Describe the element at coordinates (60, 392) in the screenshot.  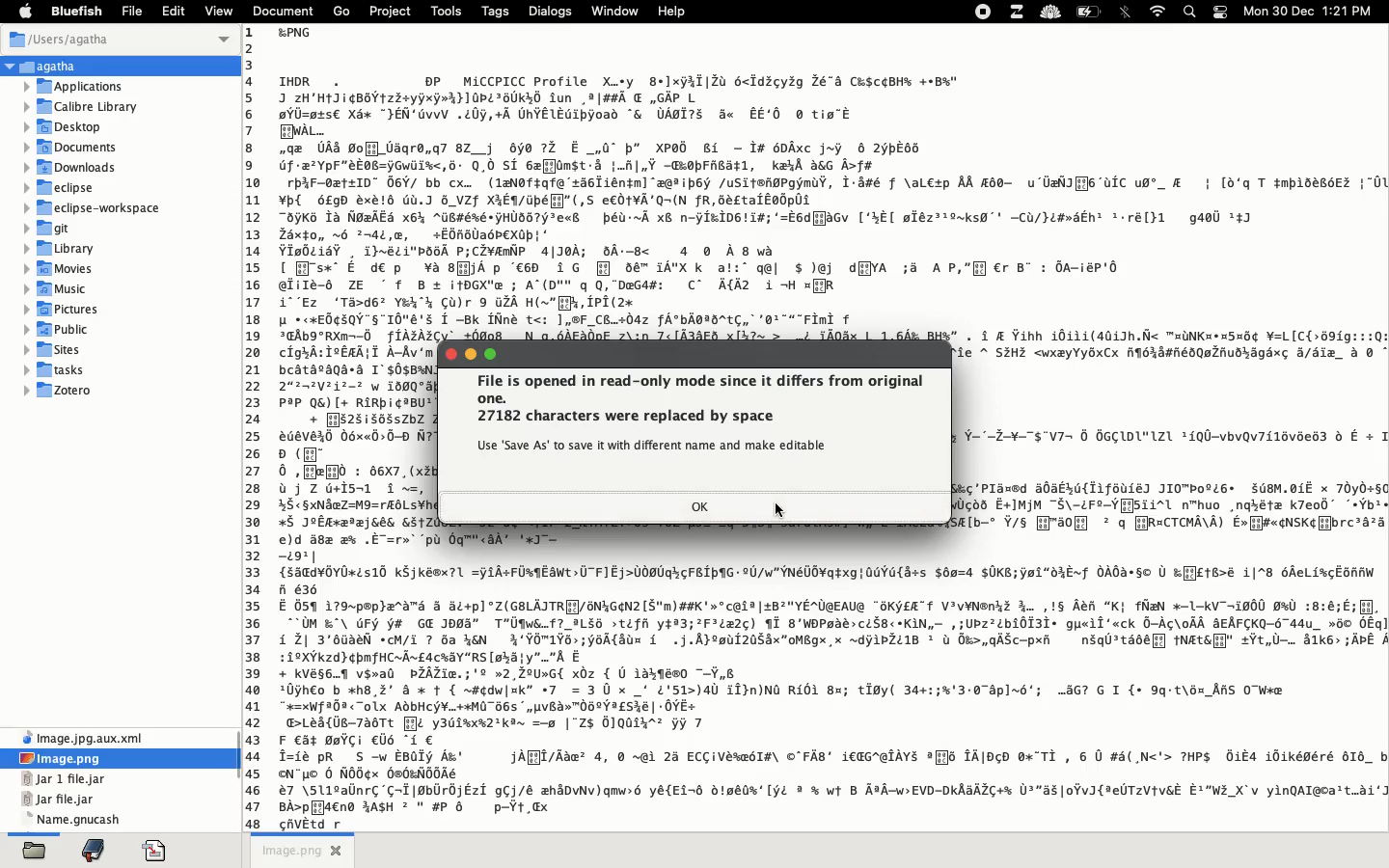
I see `Zotero` at that location.